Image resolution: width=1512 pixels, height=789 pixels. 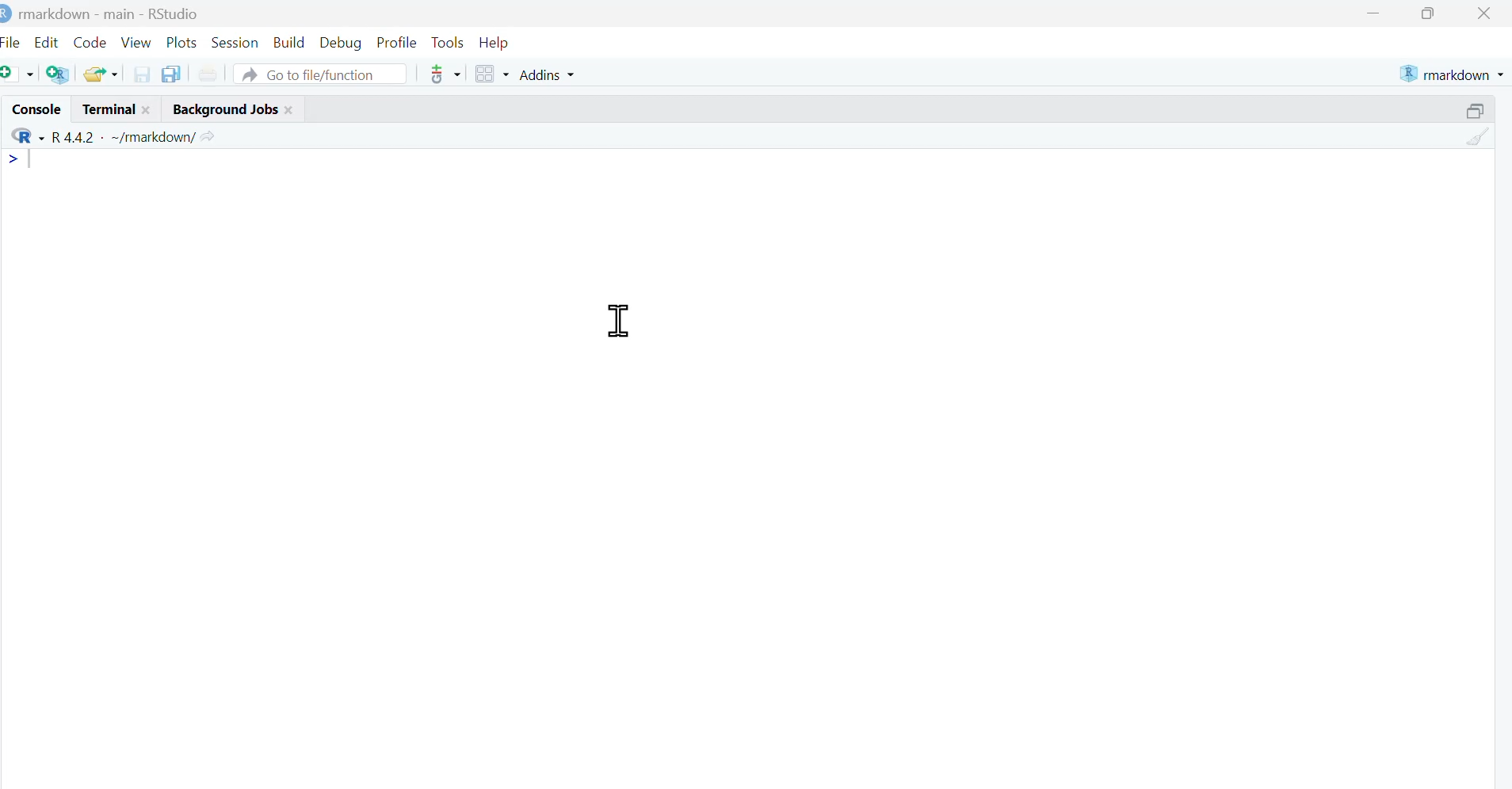 I want to click on close, so click(x=151, y=109).